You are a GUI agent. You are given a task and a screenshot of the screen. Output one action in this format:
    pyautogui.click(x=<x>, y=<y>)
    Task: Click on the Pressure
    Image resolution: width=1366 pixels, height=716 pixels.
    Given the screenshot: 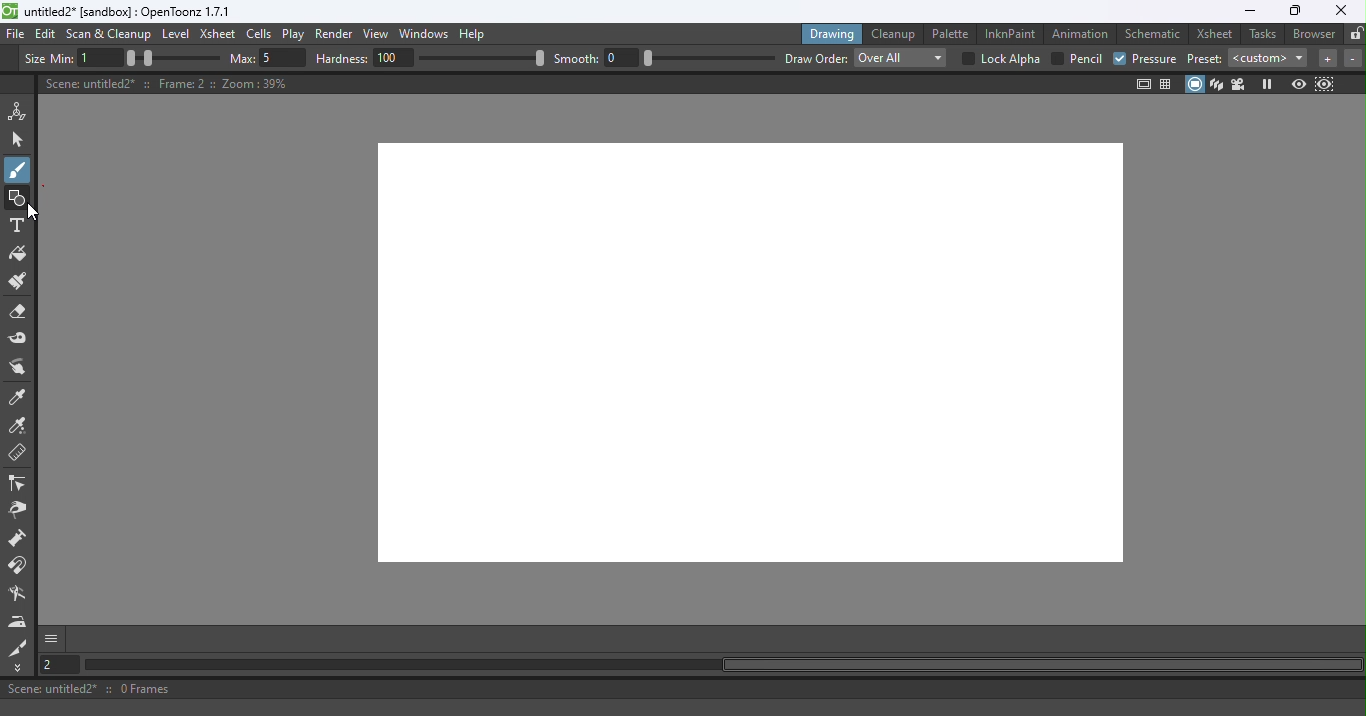 What is the action you would take?
    pyautogui.click(x=1157, y=59)
    